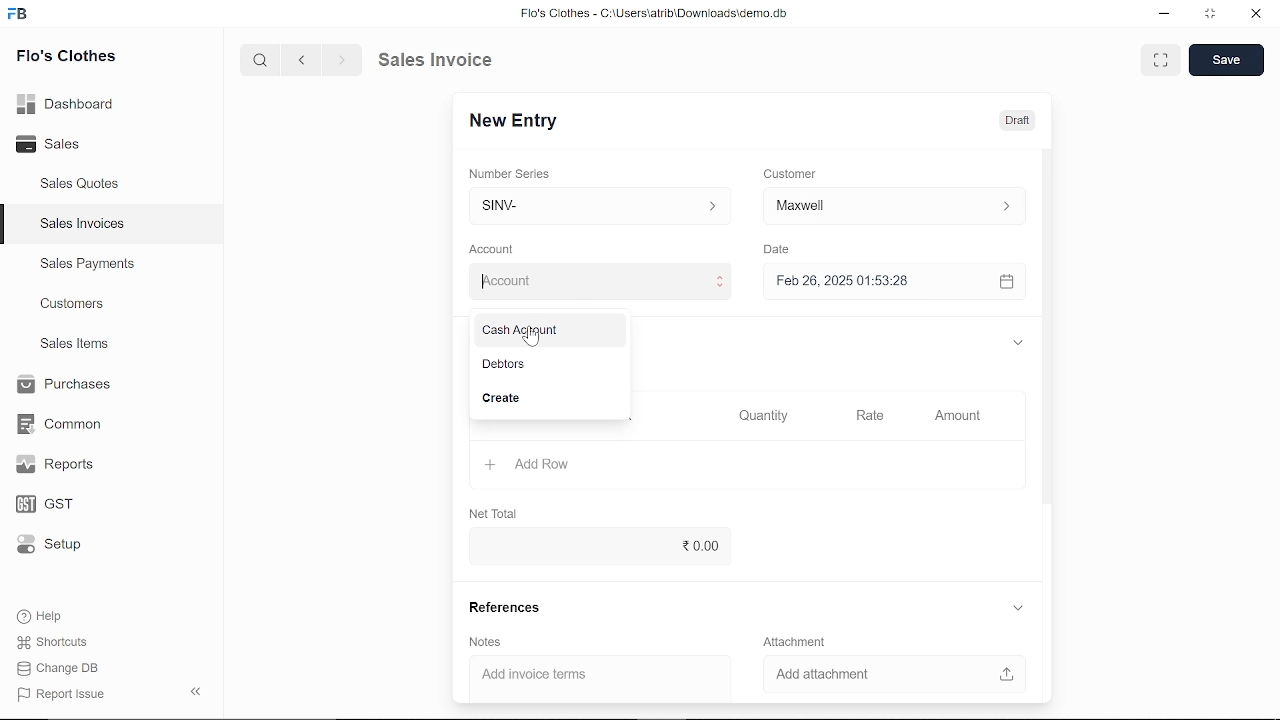 The image size is (1280, 720). I want to click on Reports., so click(63, 464).